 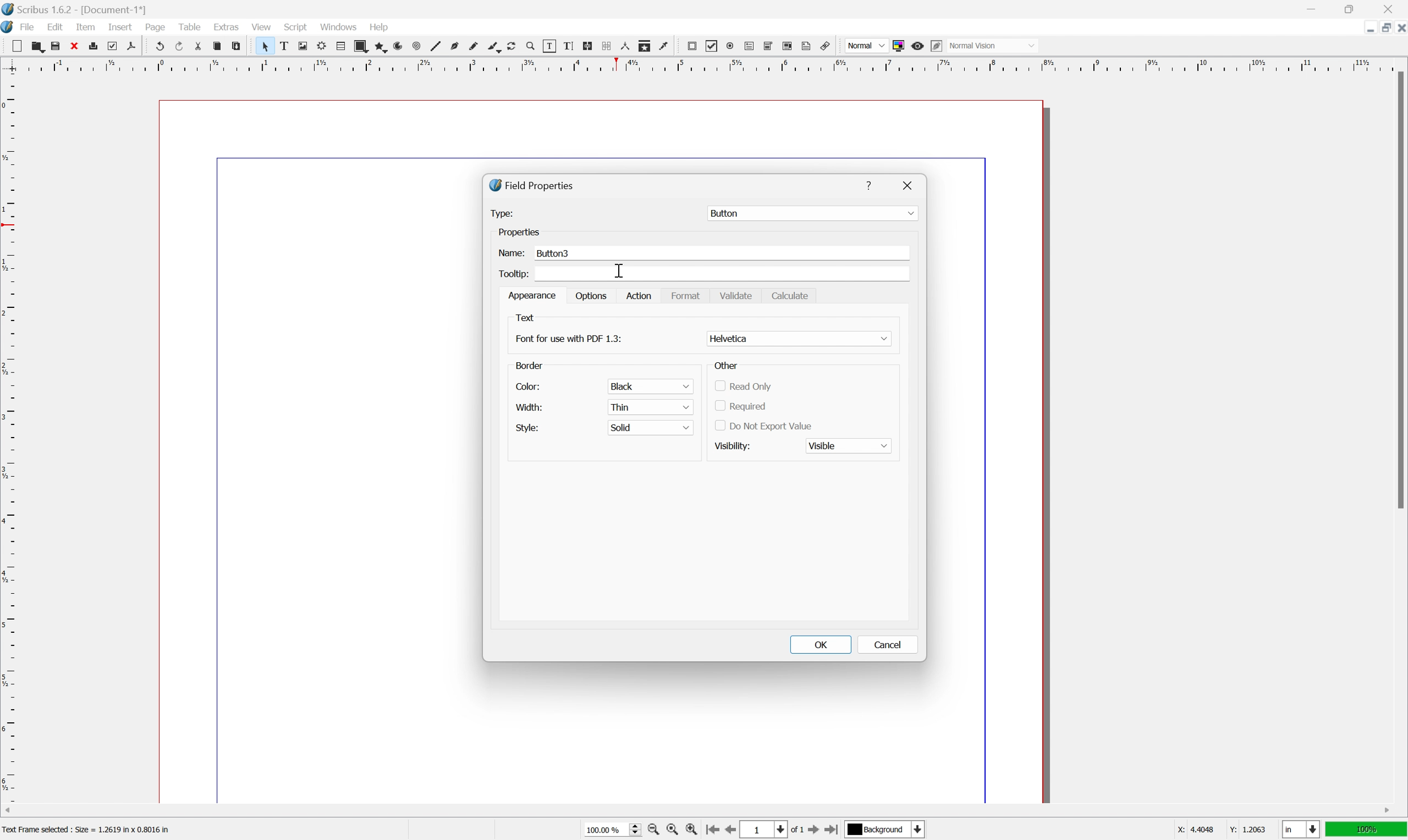 What do you see at coordinates (1365, 27) in the screenshot?
I see `minimize` at bounding box center [1365, 27].